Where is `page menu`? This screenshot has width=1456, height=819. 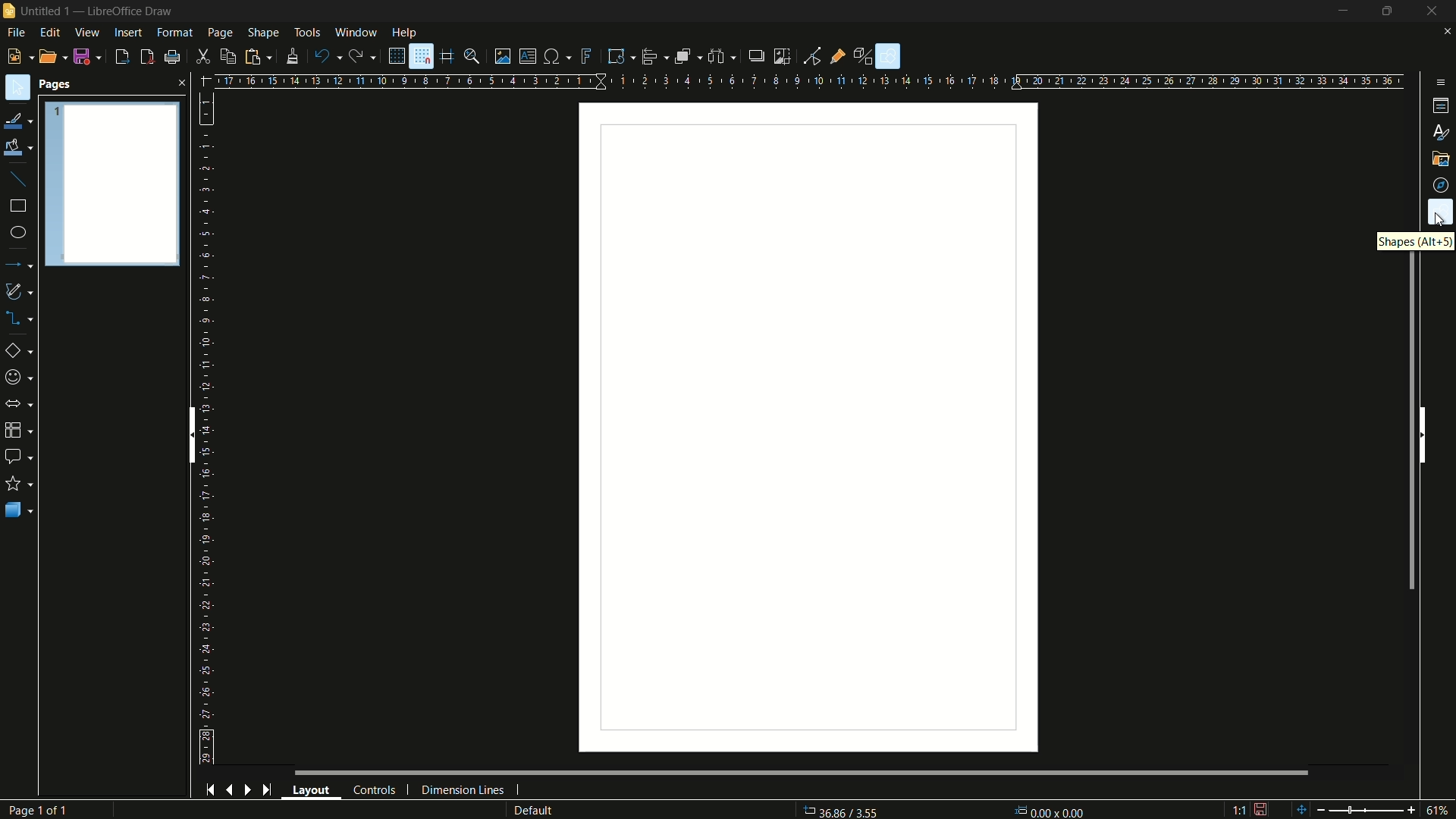
page menu is located at coordinates (221, 33).